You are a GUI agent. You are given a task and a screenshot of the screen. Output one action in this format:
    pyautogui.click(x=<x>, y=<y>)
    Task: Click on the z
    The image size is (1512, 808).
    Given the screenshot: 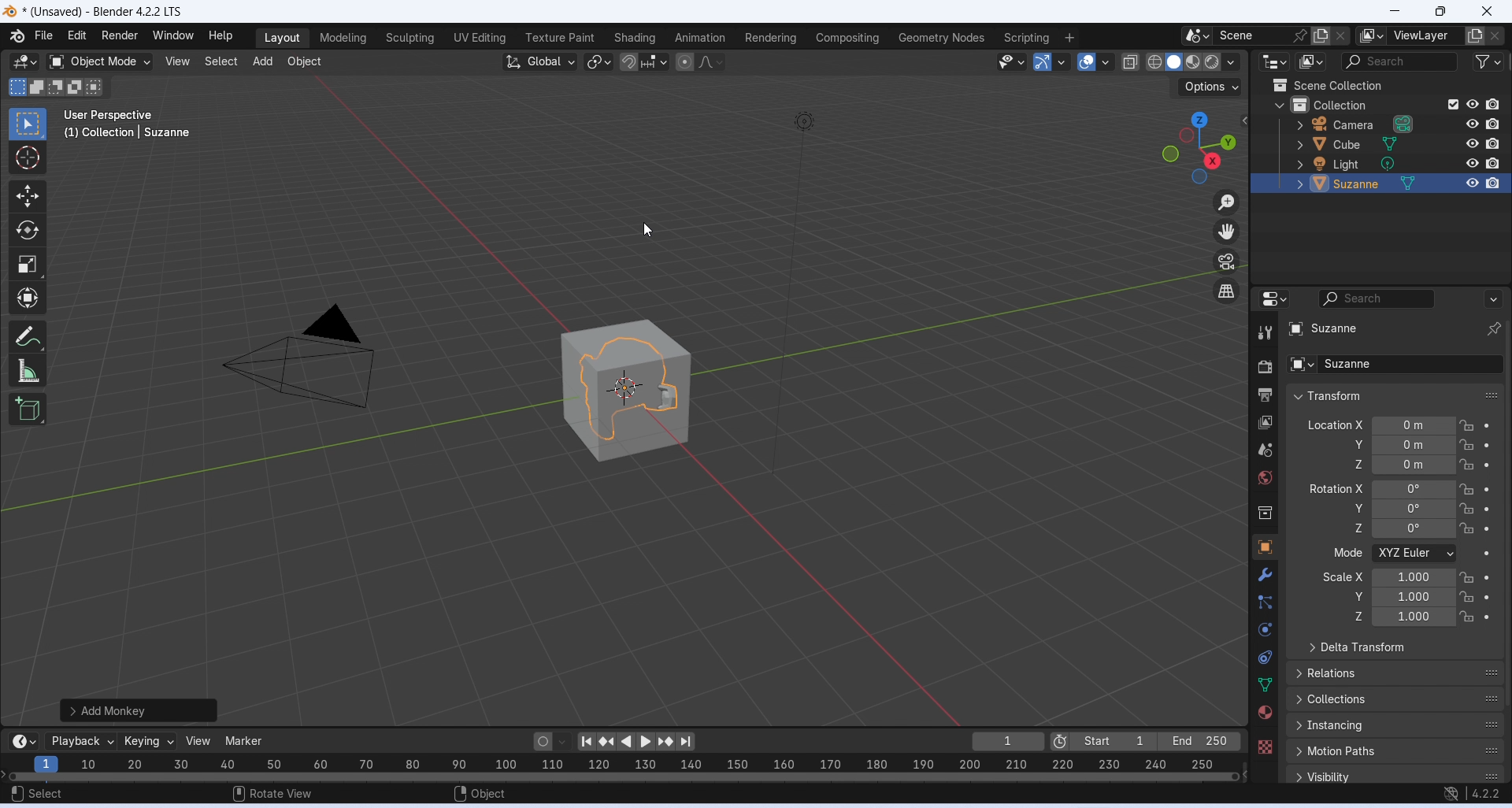 What is the action you would take?
    pyautogui.click(x=1354, y=464)
    